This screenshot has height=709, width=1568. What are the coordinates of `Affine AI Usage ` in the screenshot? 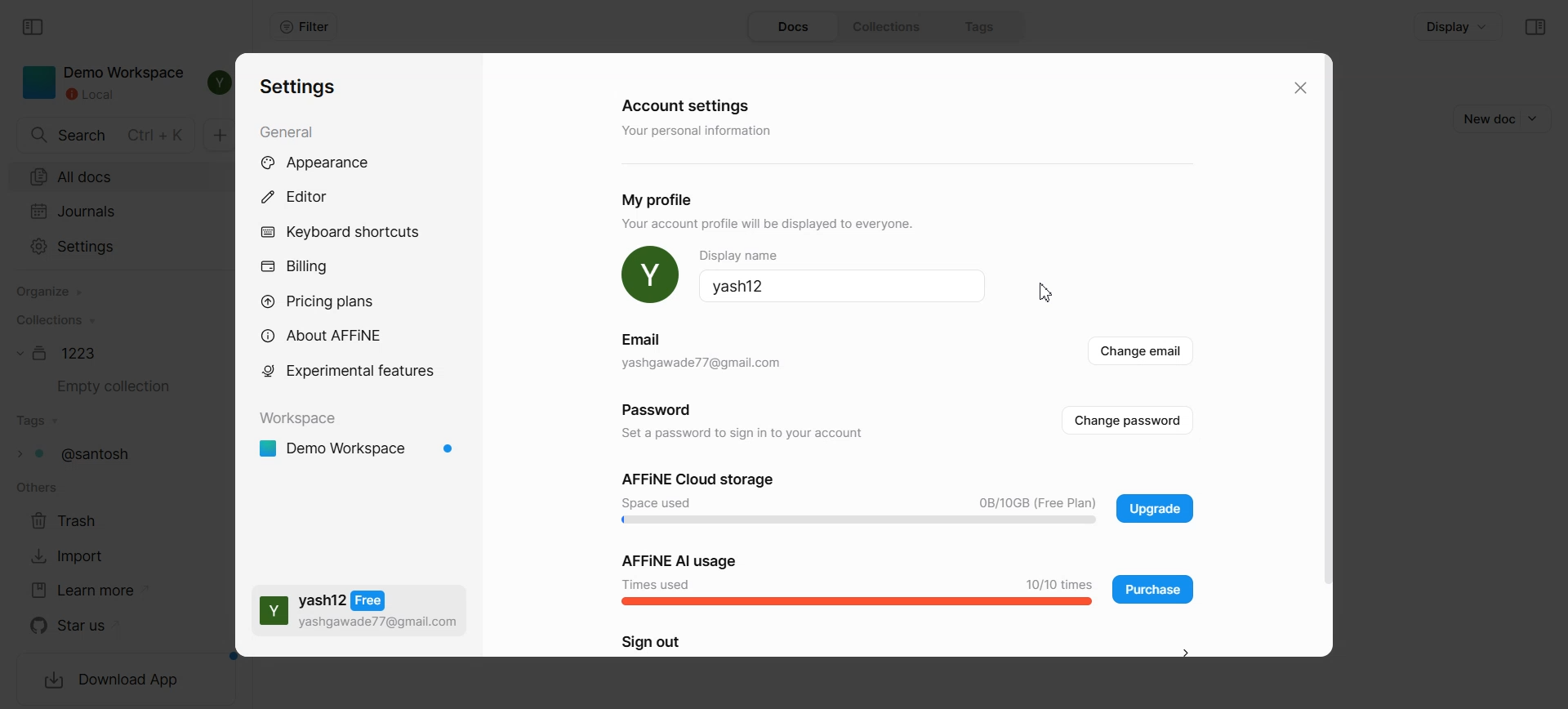 It's located at (857, 577).